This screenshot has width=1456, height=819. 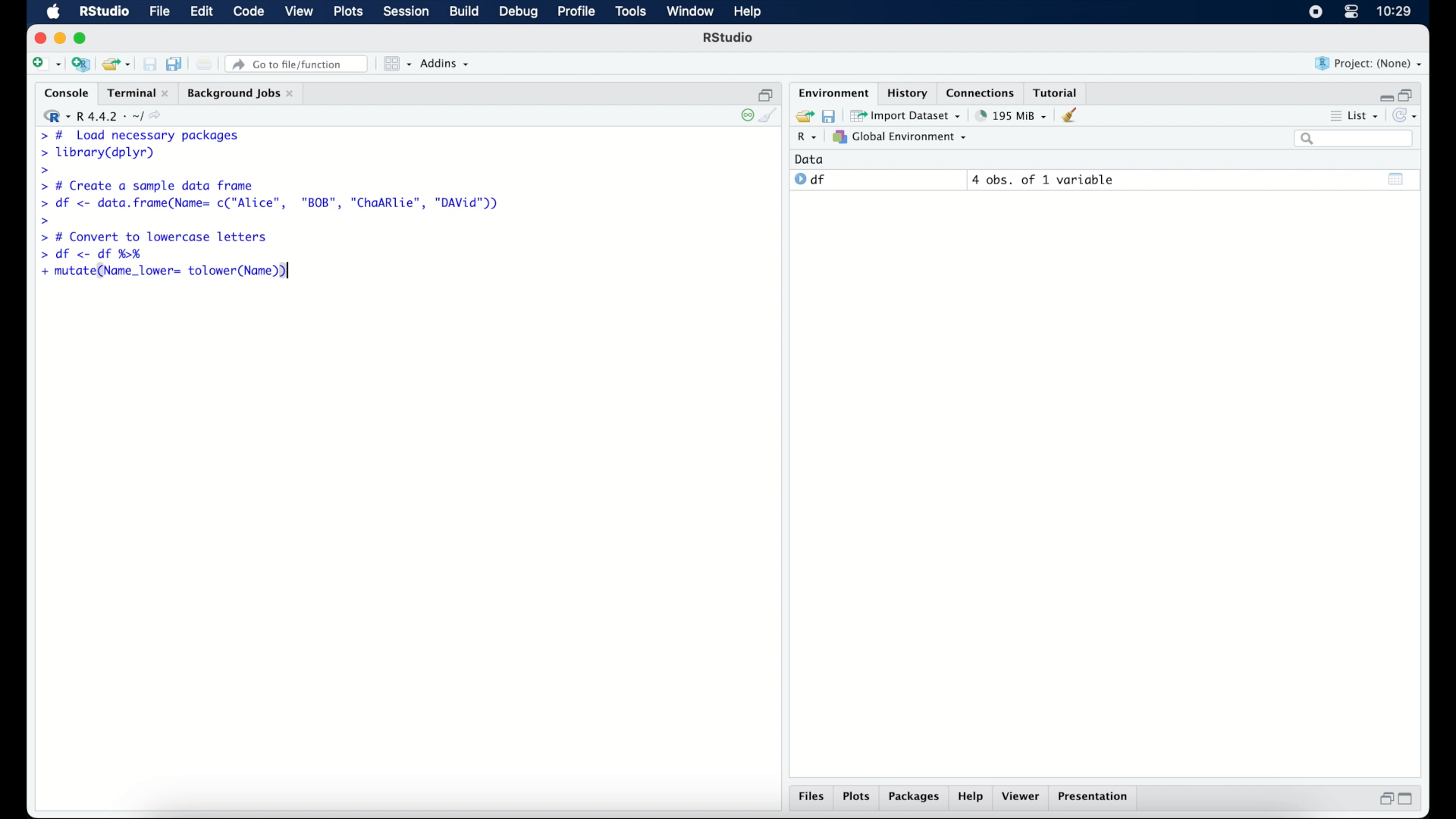 What do you see at coordinates (45, 220) in the screenshot?
I see `command prompt` at bounding box center [45, 220].